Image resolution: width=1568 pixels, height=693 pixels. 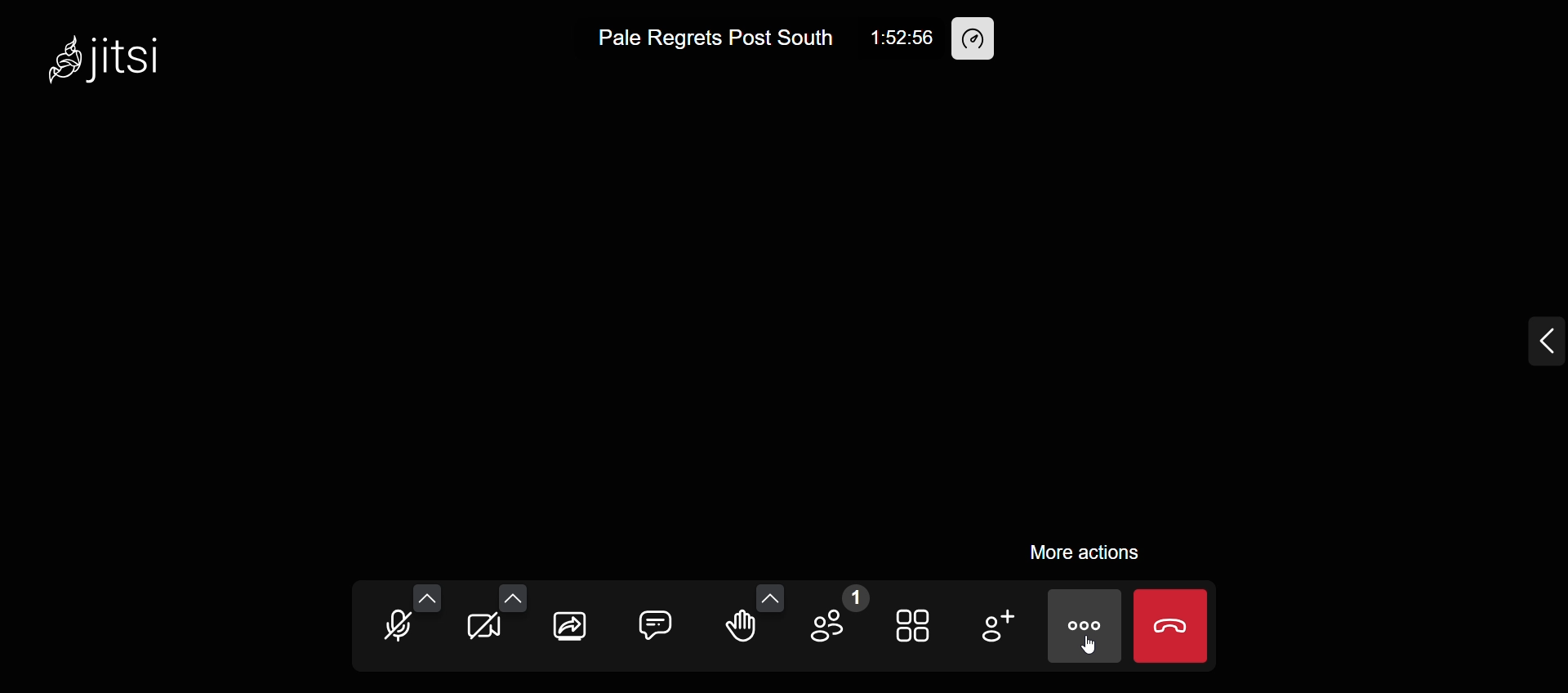 I want to click on jitsi, so click(x=106, y=60).